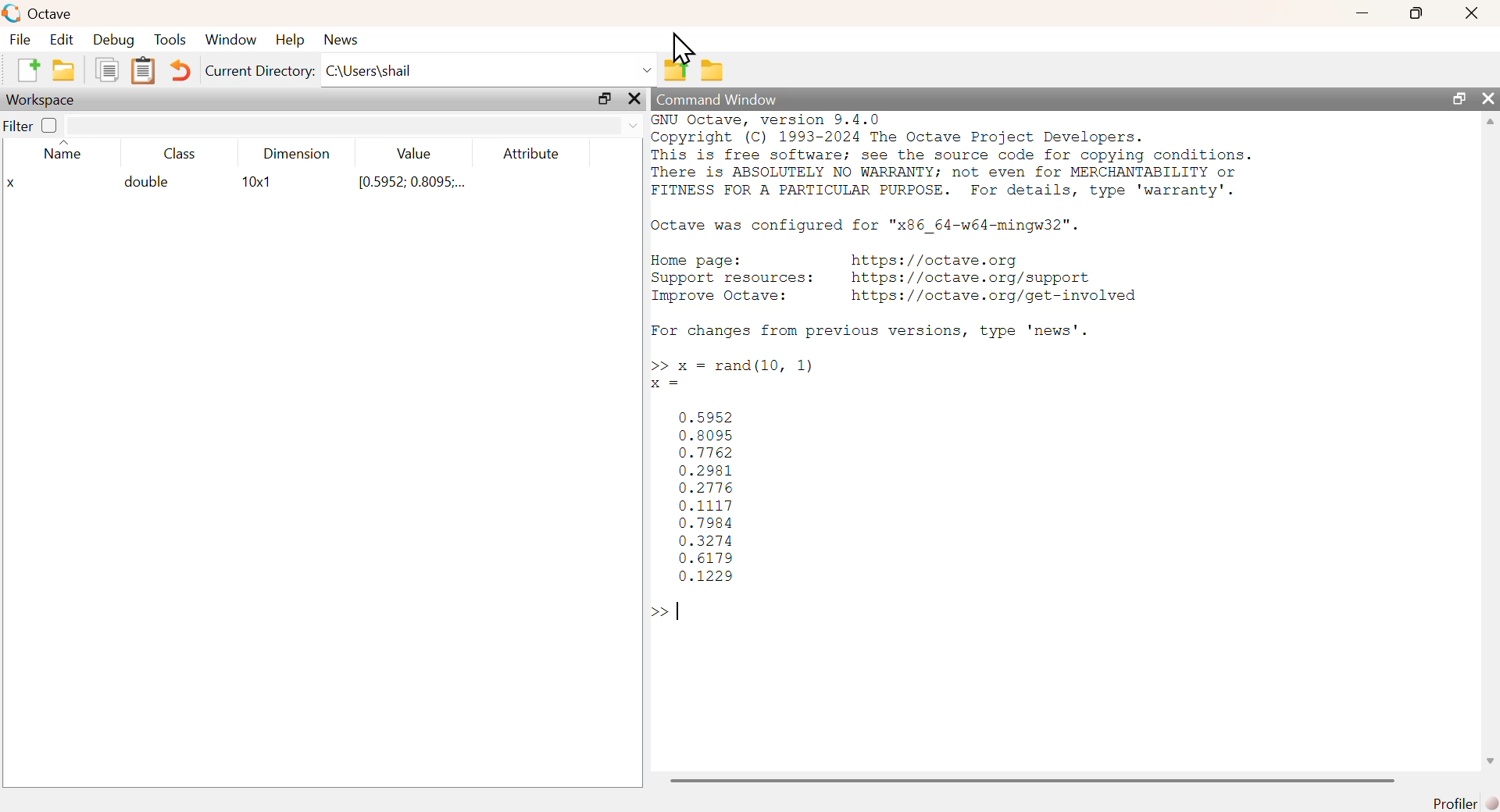 The image size is (1500, 812). I want to click on scrollbar, so click(1033, 781).